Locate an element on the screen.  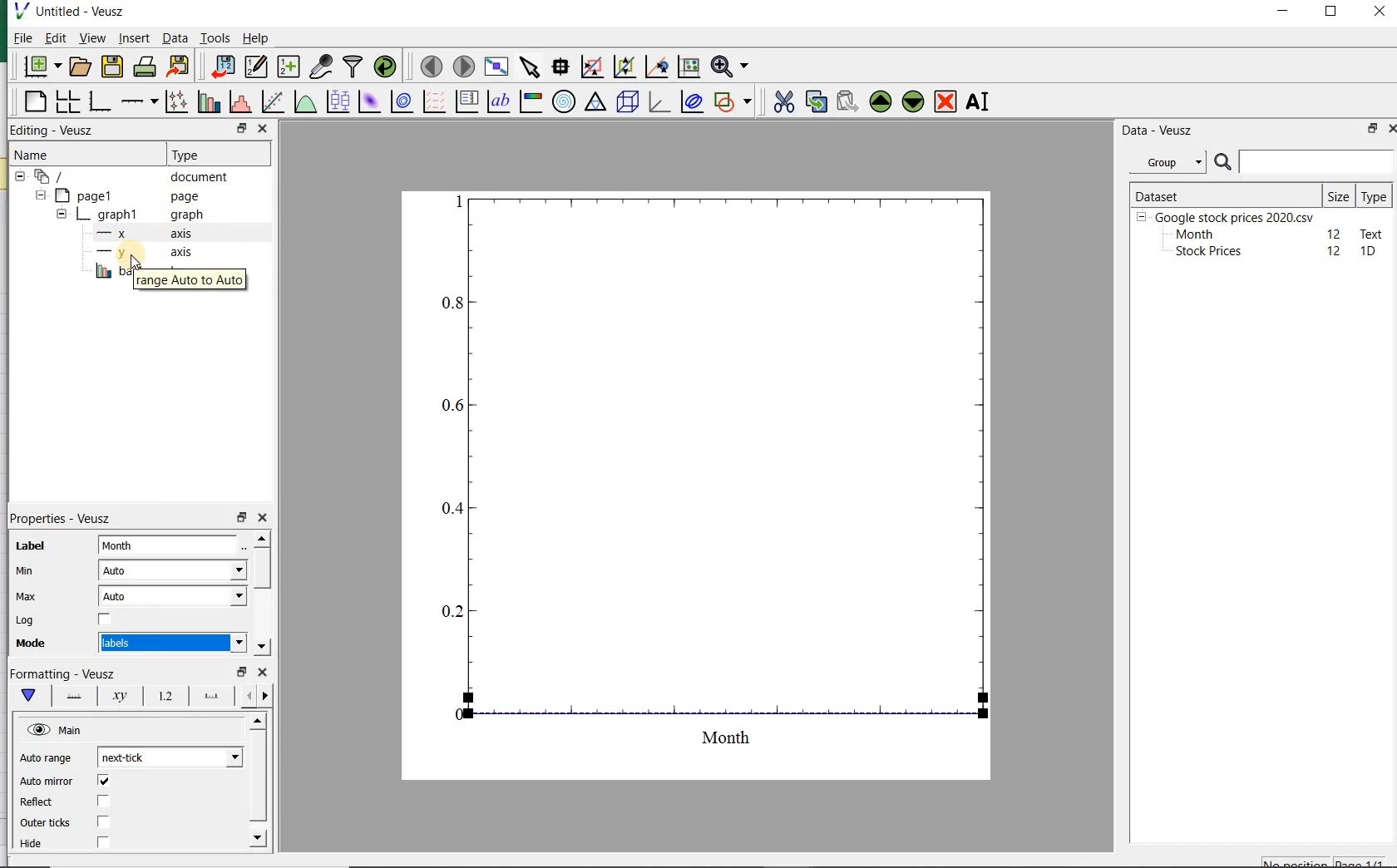
click to reset graph axes is located at coordinates (687, 67).